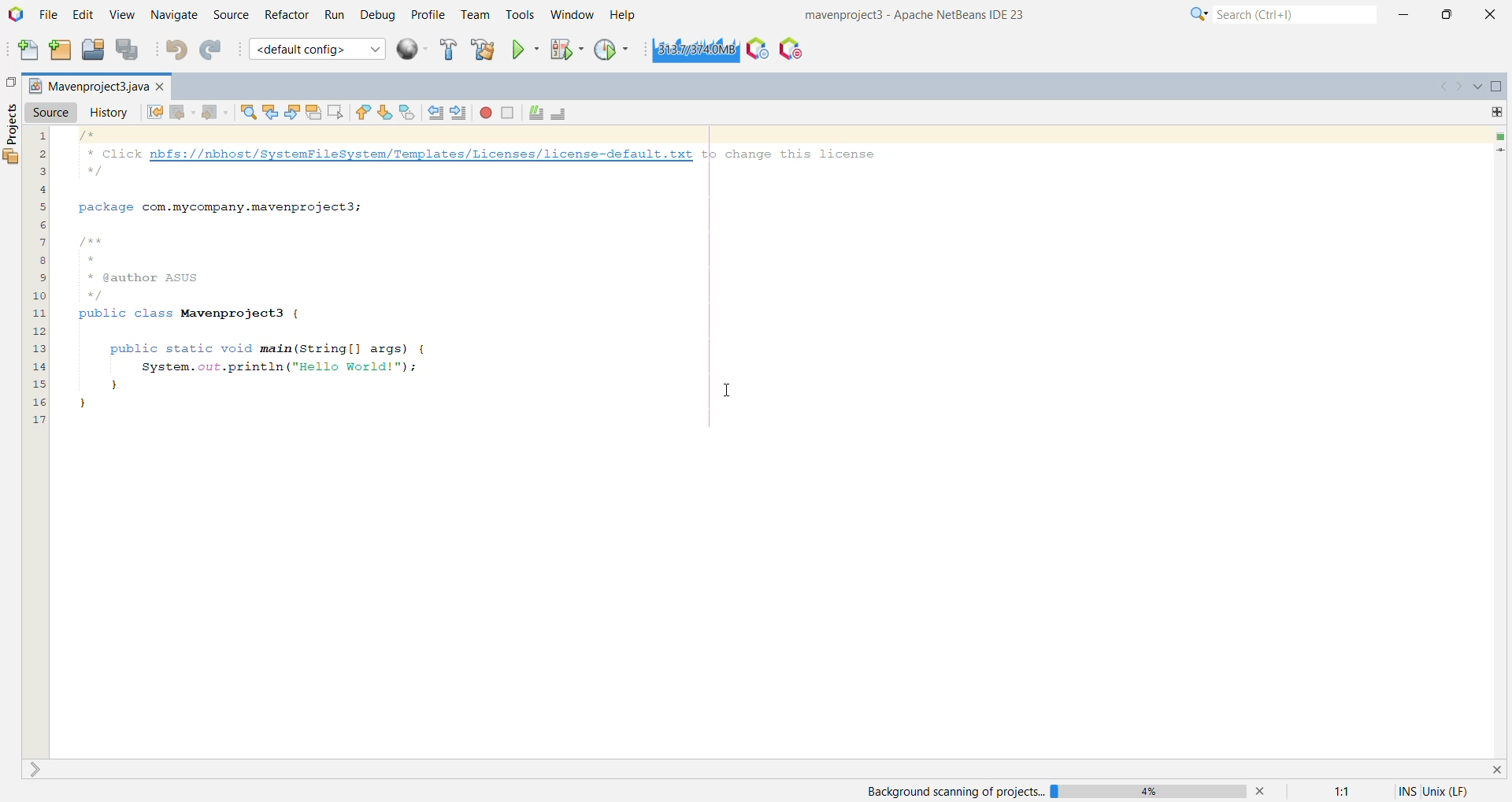 This screenshot has height=802, width=1512. Describe the element at coordinates (215, 113) in the screenshot. I see `Forward` at that location.